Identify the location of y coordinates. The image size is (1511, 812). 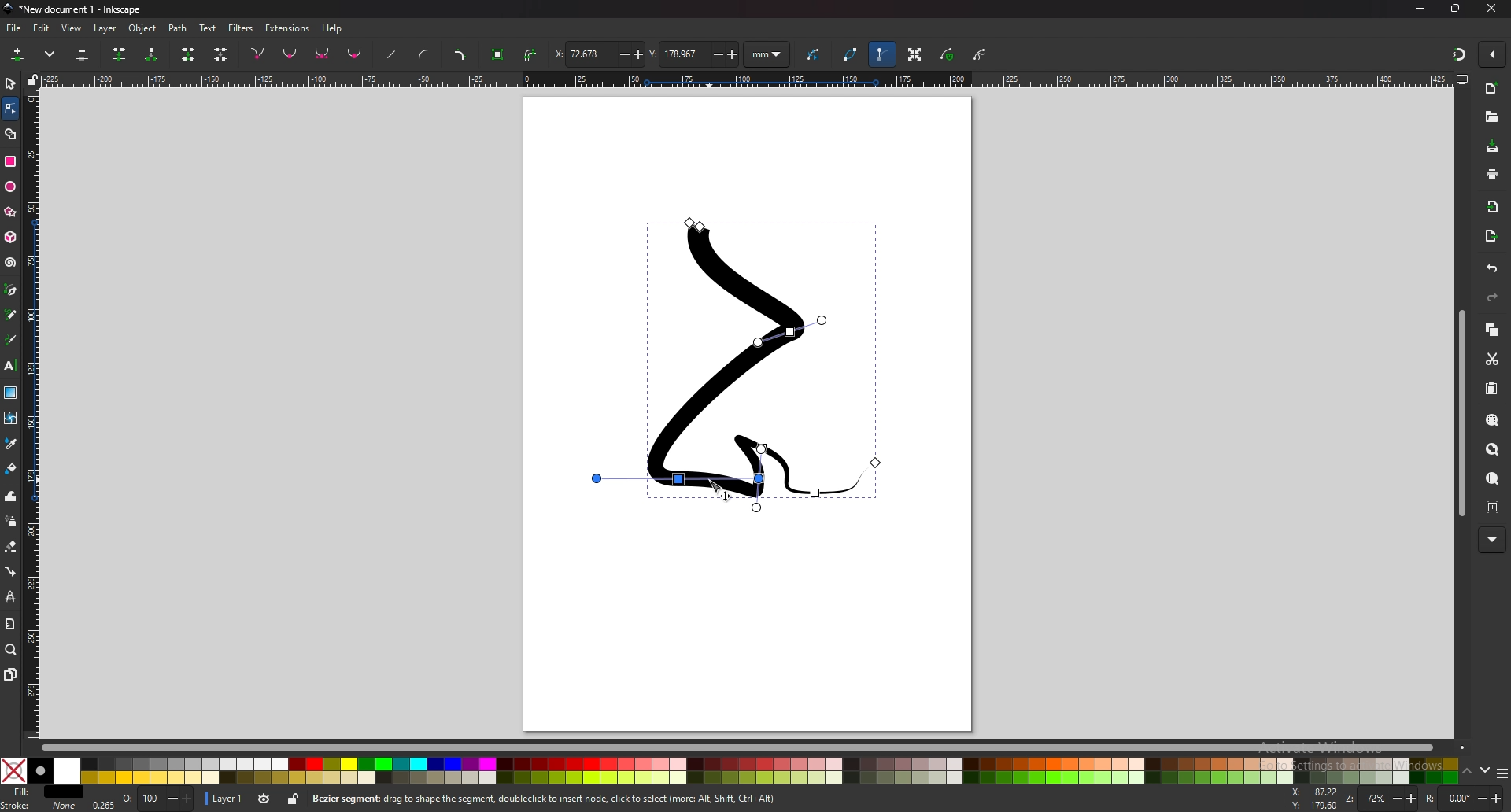
(693, 54).